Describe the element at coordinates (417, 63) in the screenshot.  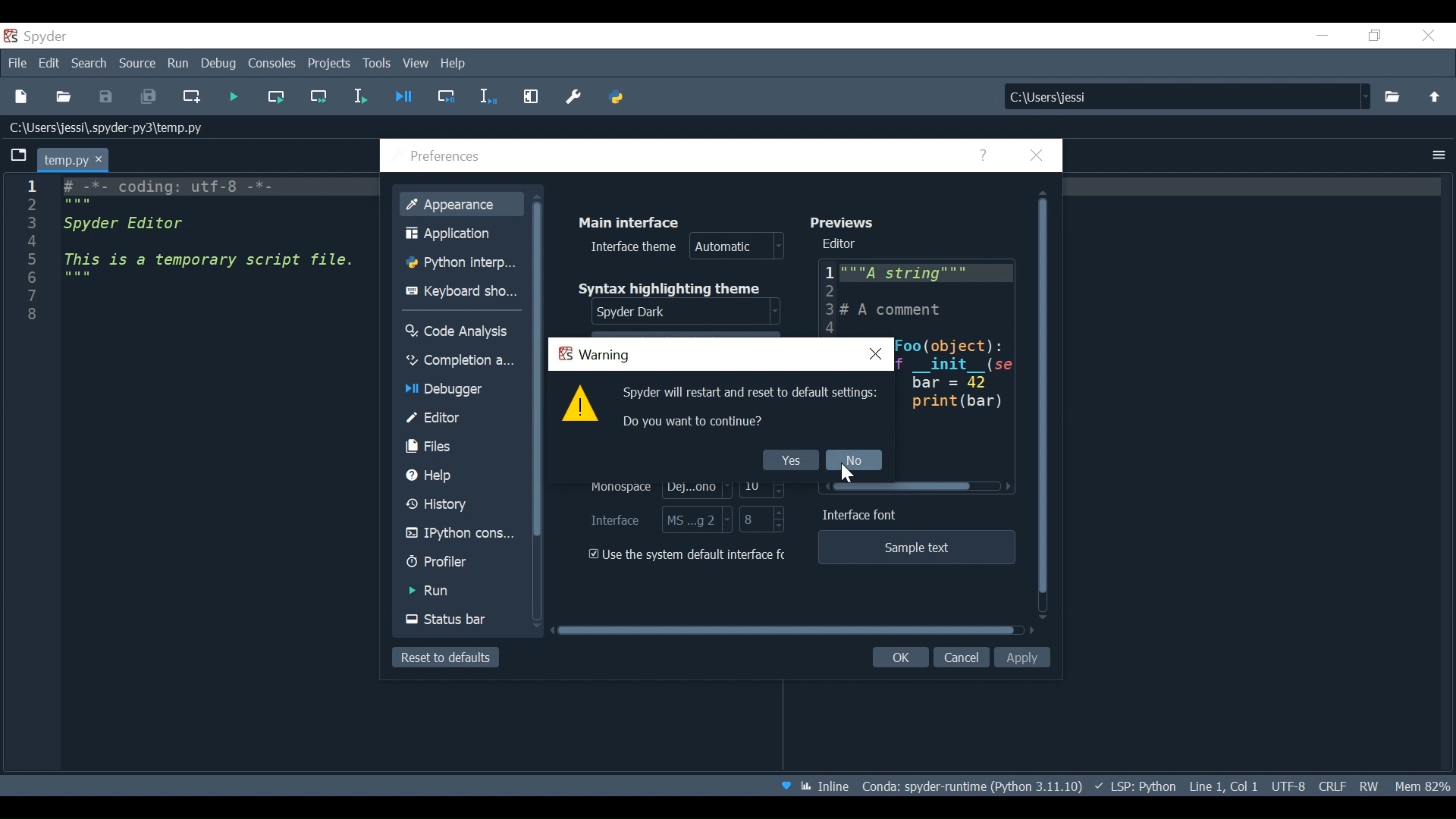
I see `View` at that location.